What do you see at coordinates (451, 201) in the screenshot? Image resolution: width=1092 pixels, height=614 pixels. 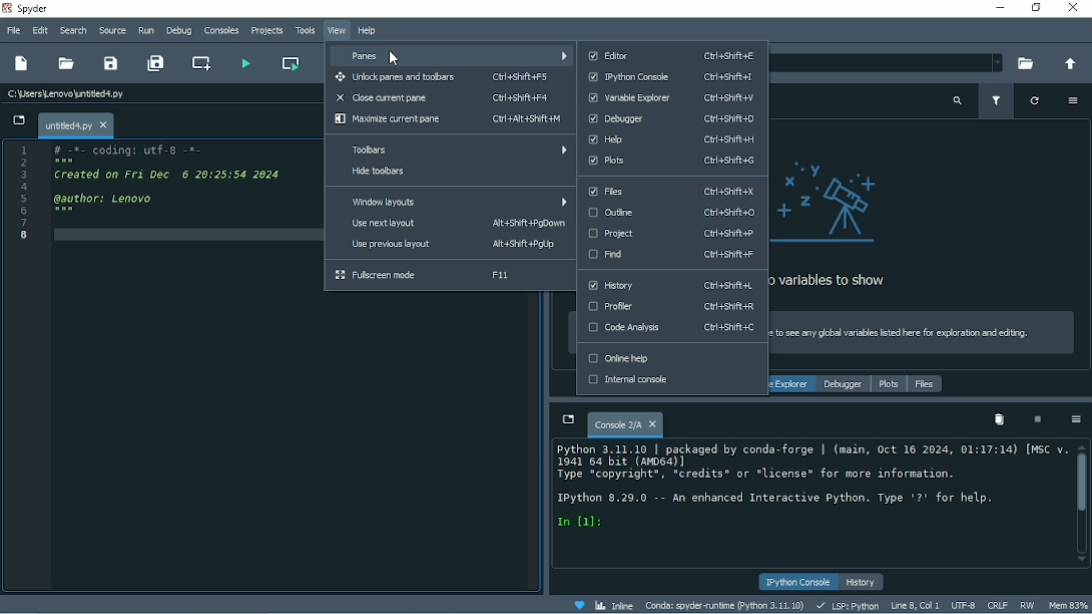 I see `Window layouts` at bounding box center [451, 201].